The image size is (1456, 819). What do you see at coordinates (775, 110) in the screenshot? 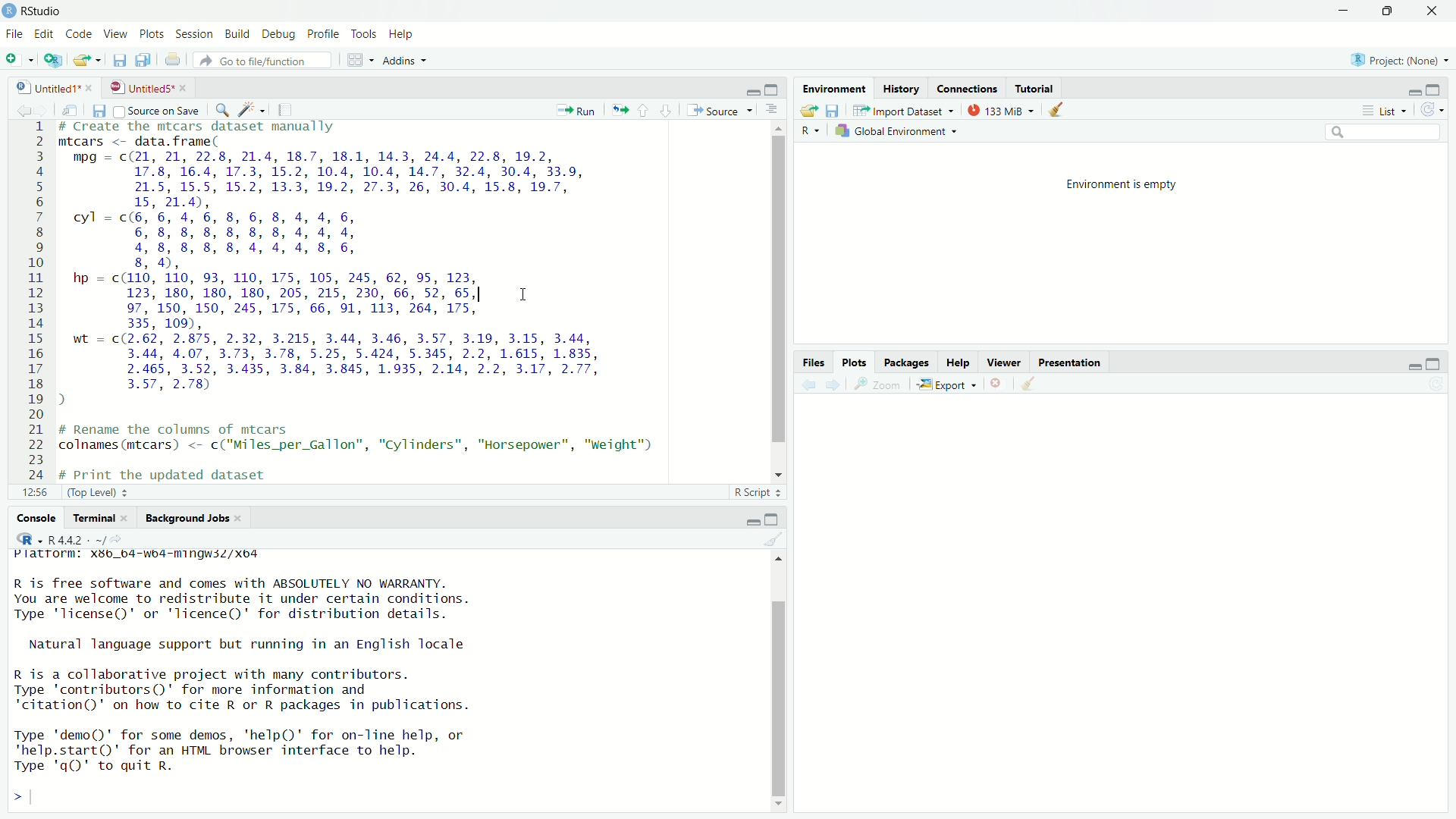
I see `options` at bounding box center [775, 110].